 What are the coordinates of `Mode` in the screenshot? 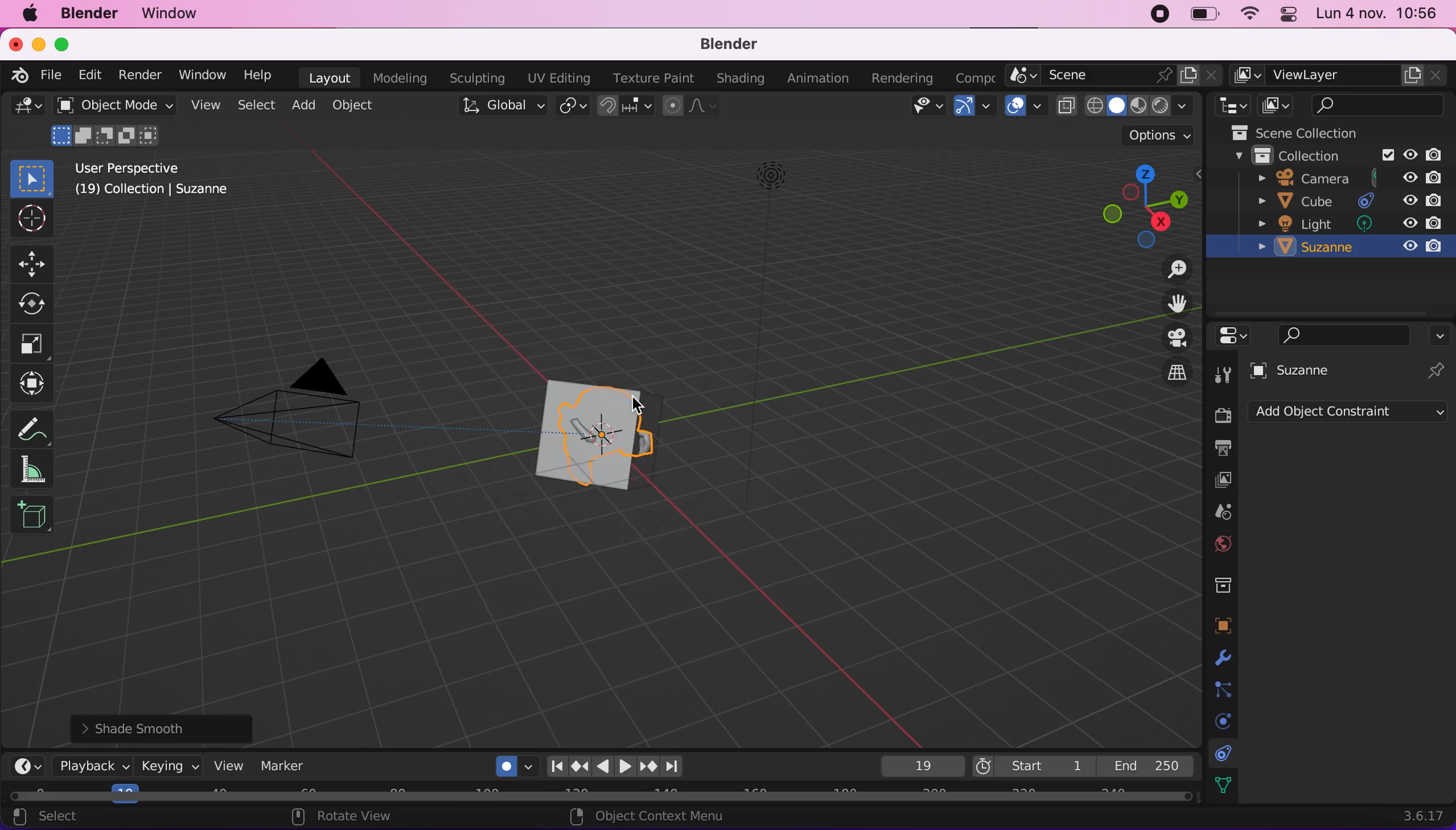 It's located at (106, 135).